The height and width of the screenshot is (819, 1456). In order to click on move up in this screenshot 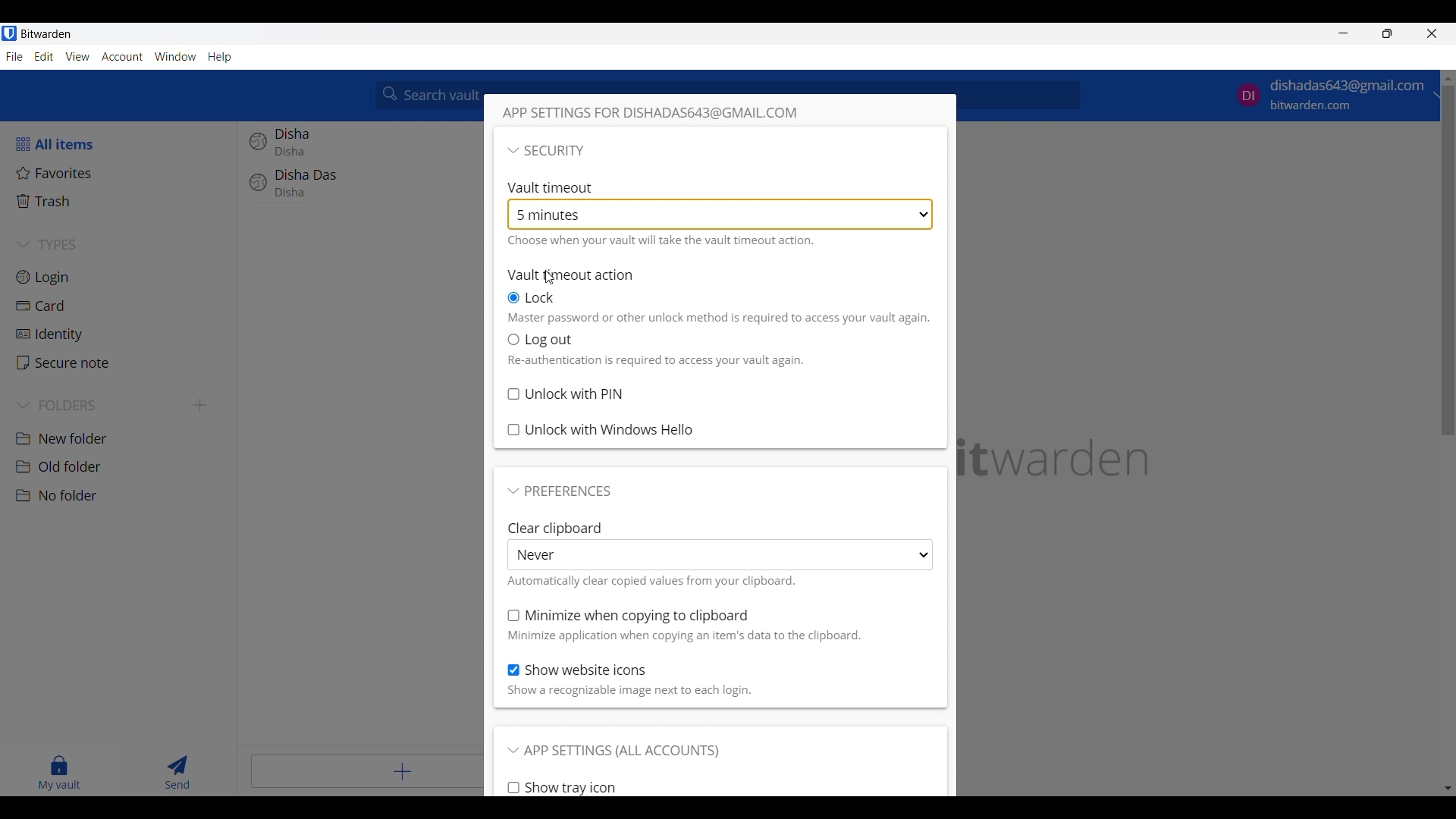, I will do `click(1447, 78)`.